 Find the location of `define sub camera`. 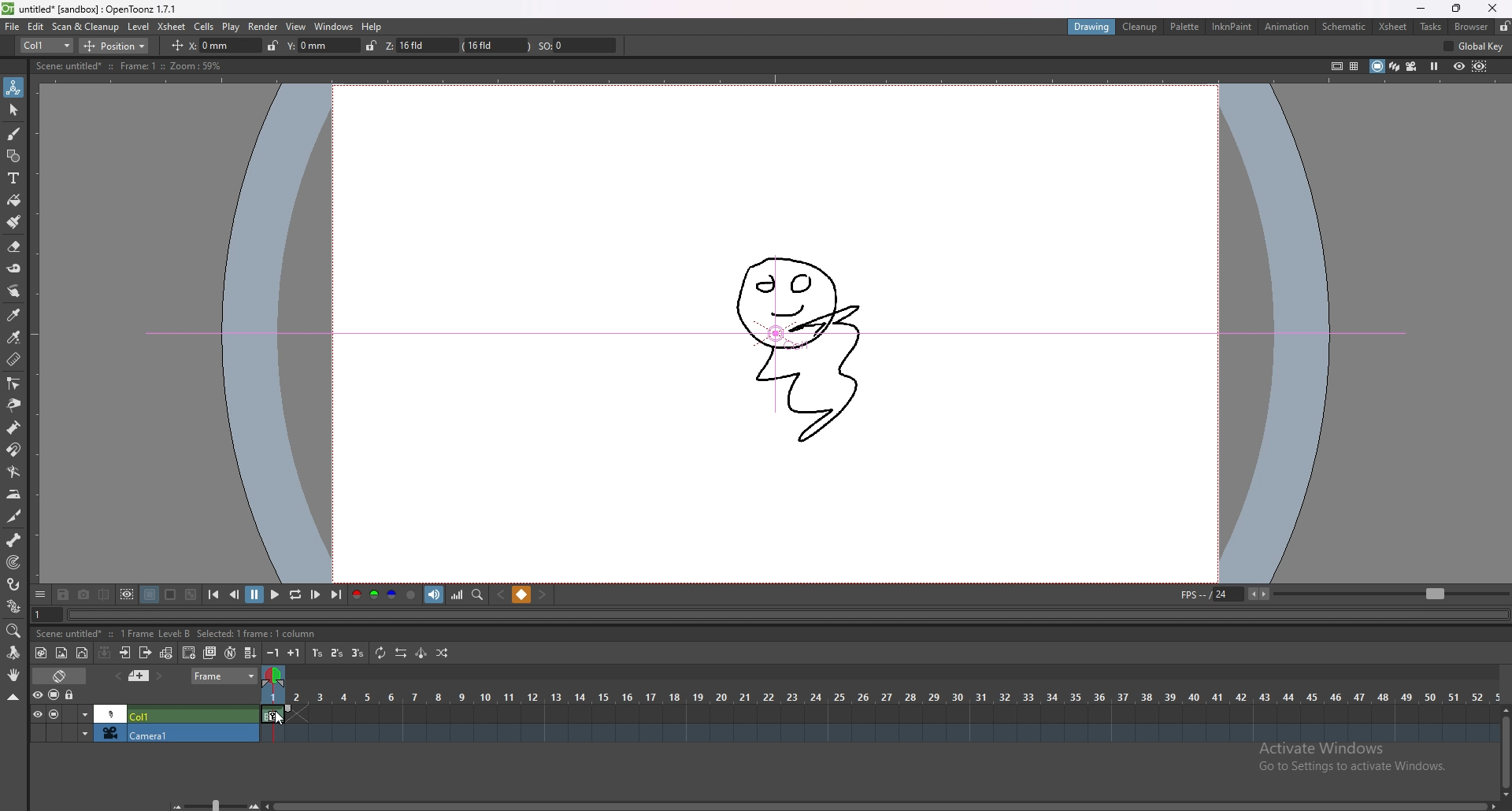

define sub camera is located at coordinates (128, 594).